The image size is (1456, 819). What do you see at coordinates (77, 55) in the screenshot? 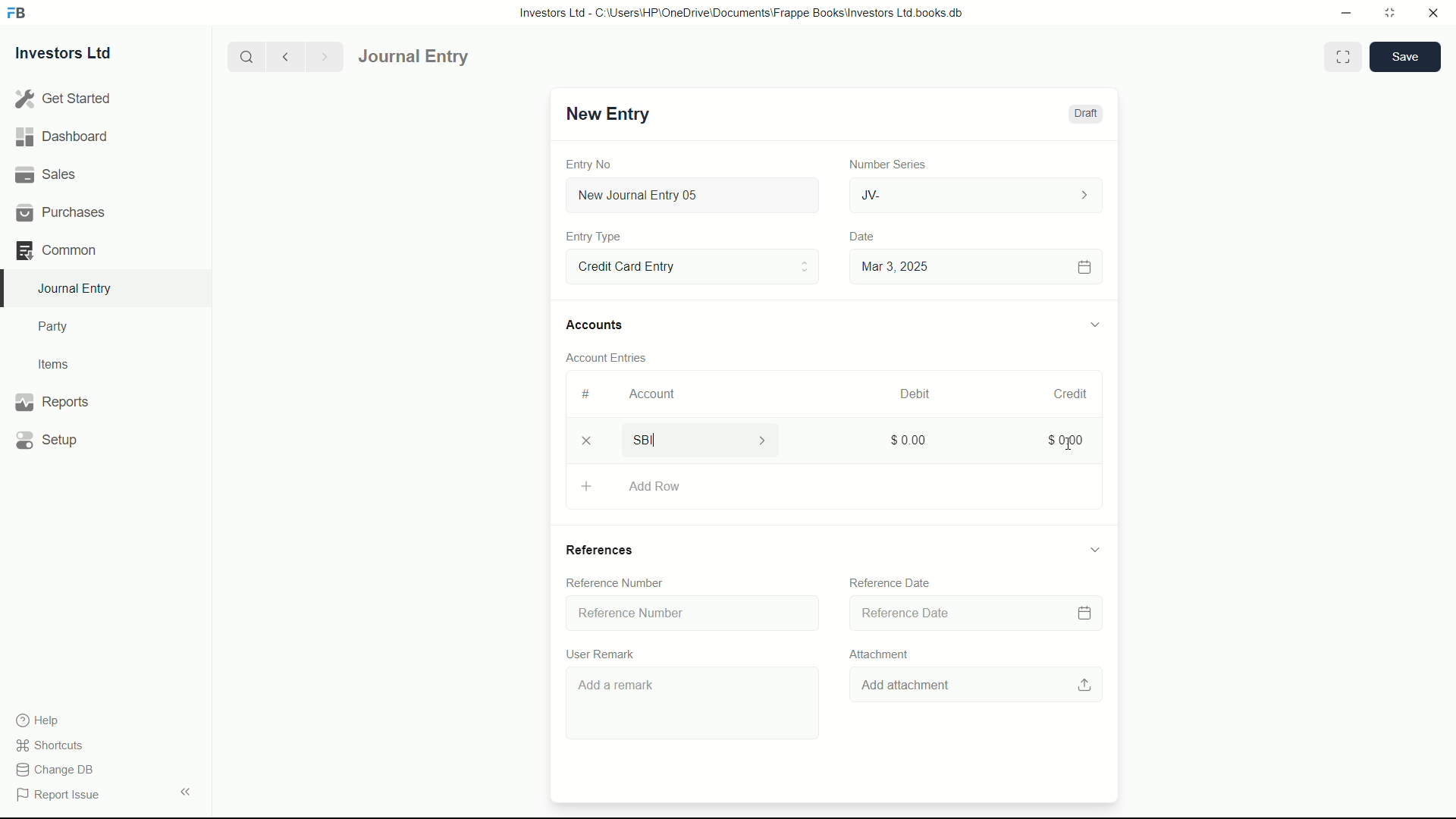
I see `Investors Ltd` at bounding box center [77, 55].